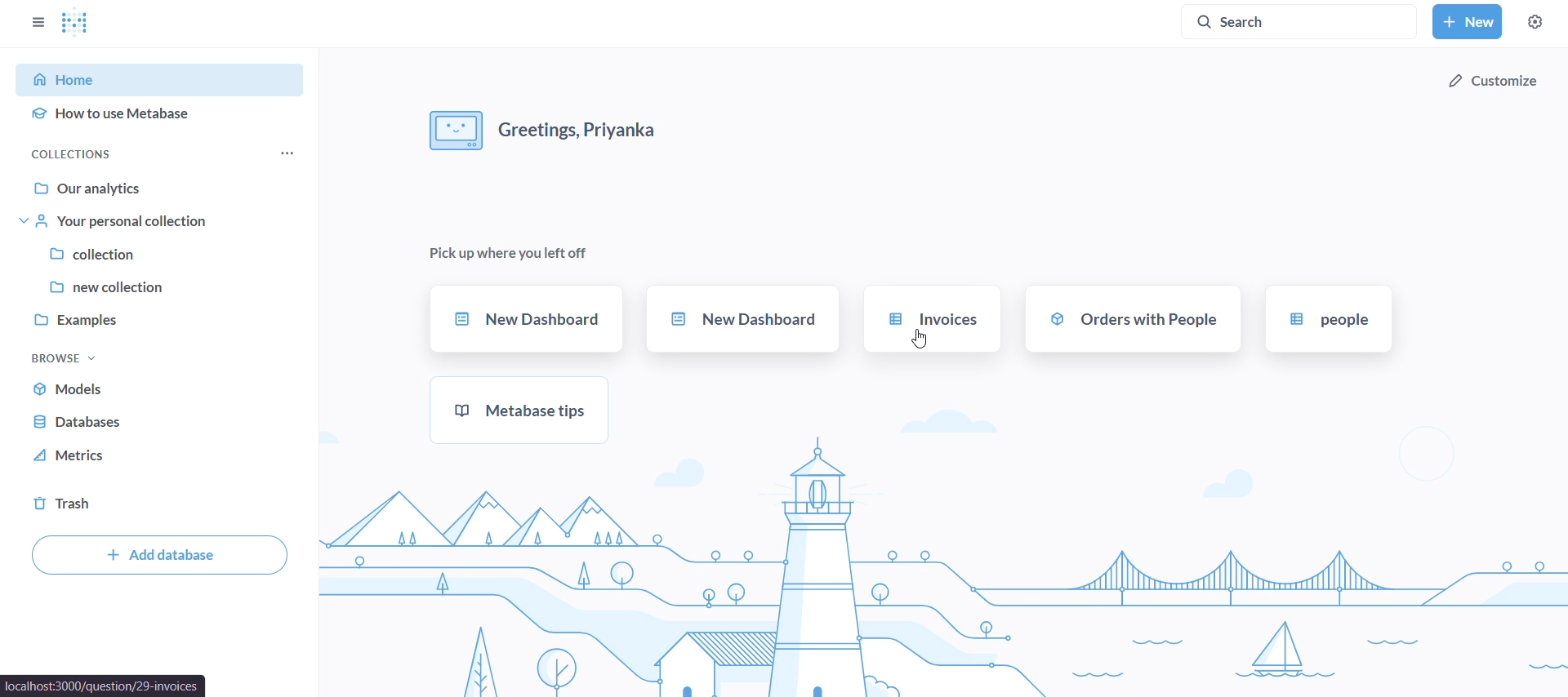 This screenshot has width=1568, height=697. I want to click on cursor, so click(922, 341).